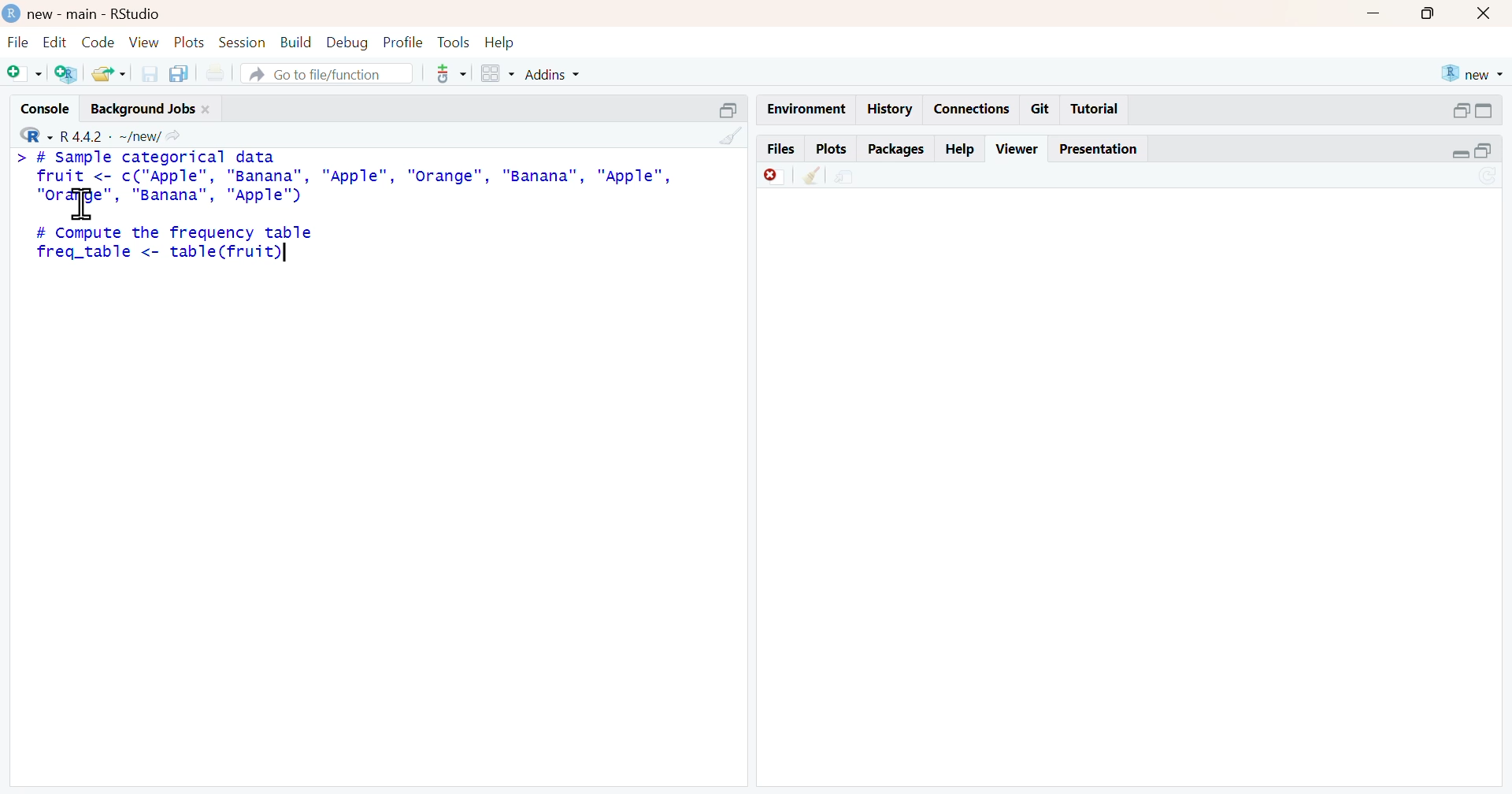  What do you see at coordinates (190, 43) in the screenshot?
I see `plots` at bounding box center [190, 43].